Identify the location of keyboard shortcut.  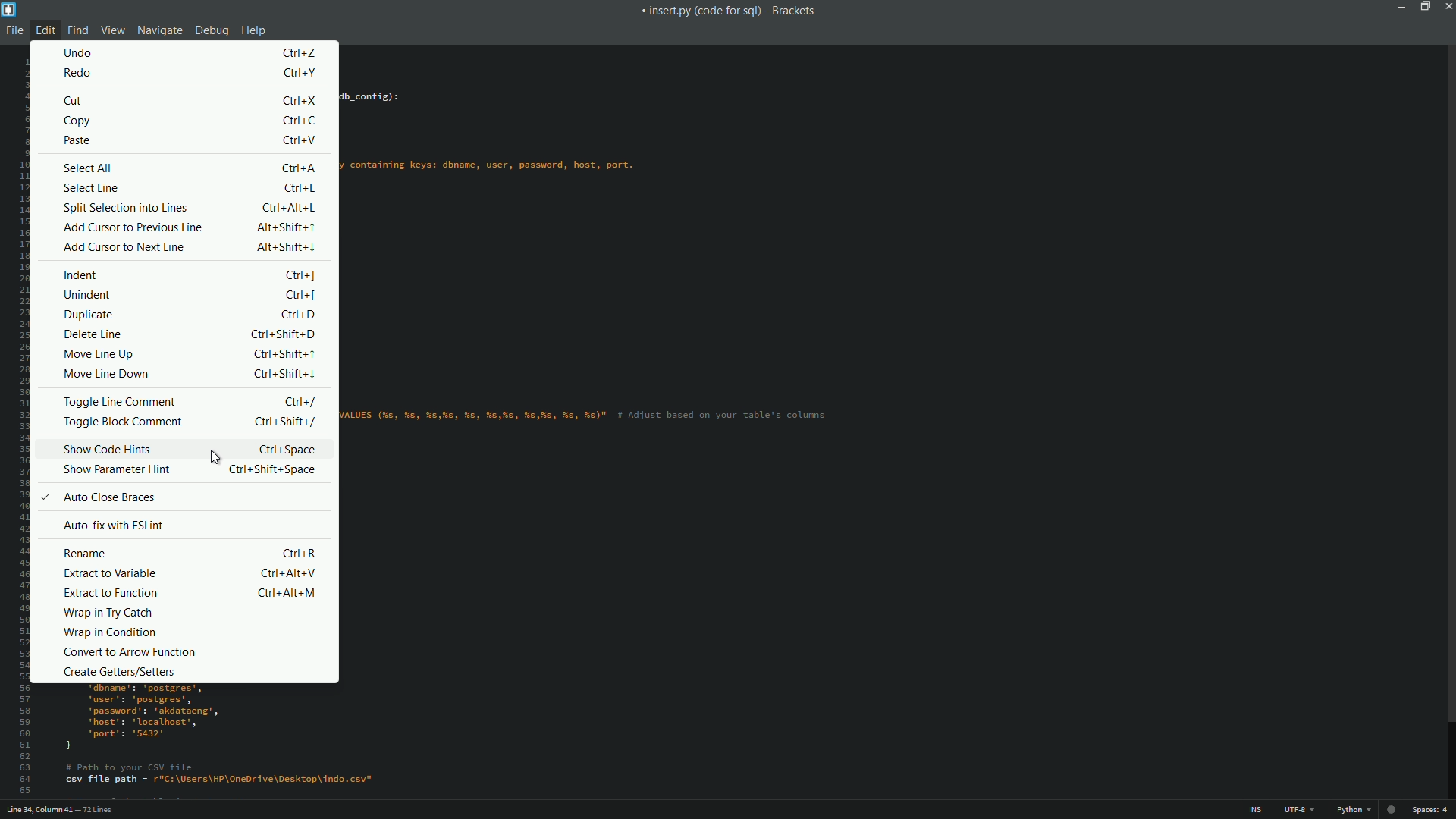
(290, 574).